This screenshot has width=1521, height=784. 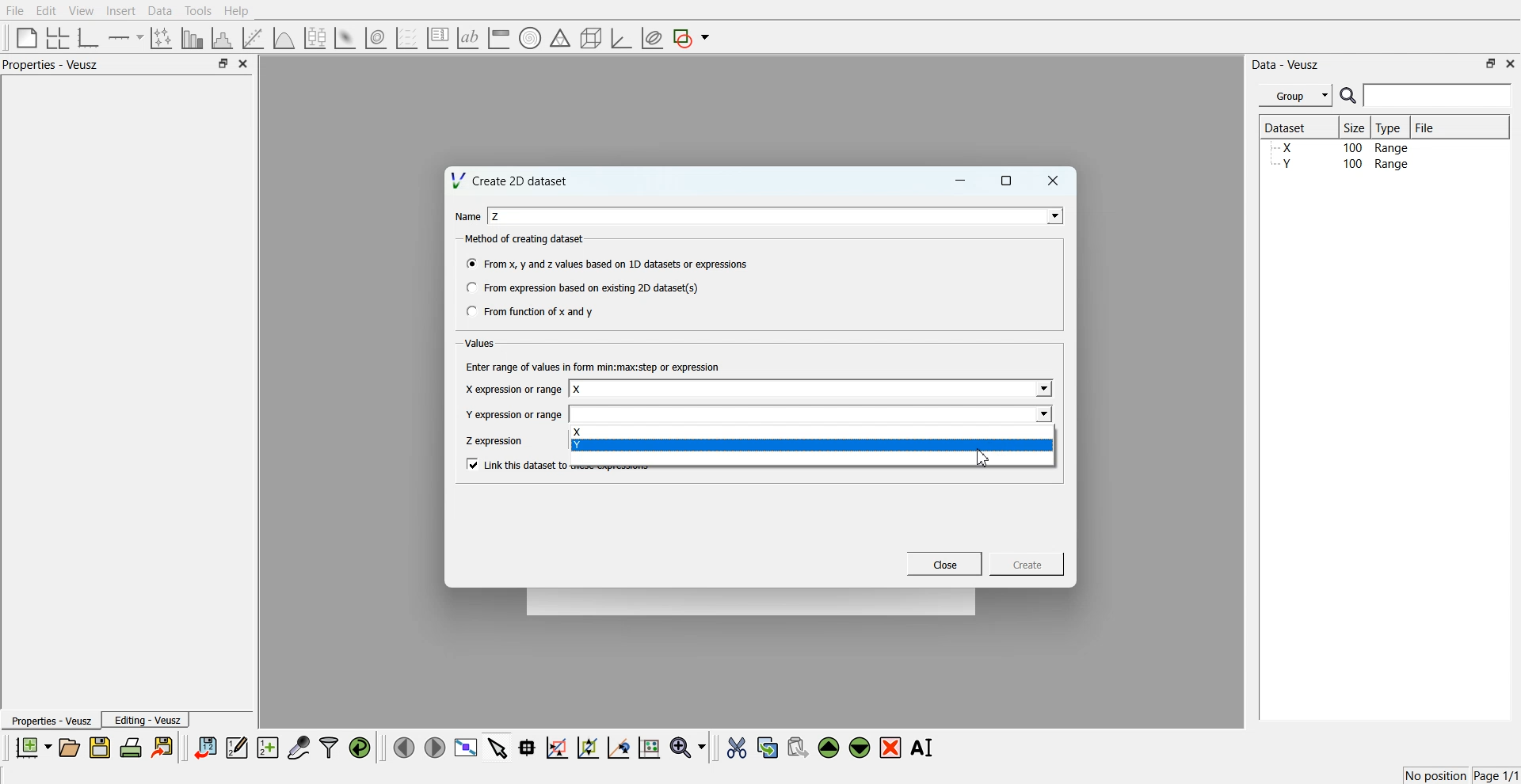 I want to click on Close, so click(x=945, y=564).